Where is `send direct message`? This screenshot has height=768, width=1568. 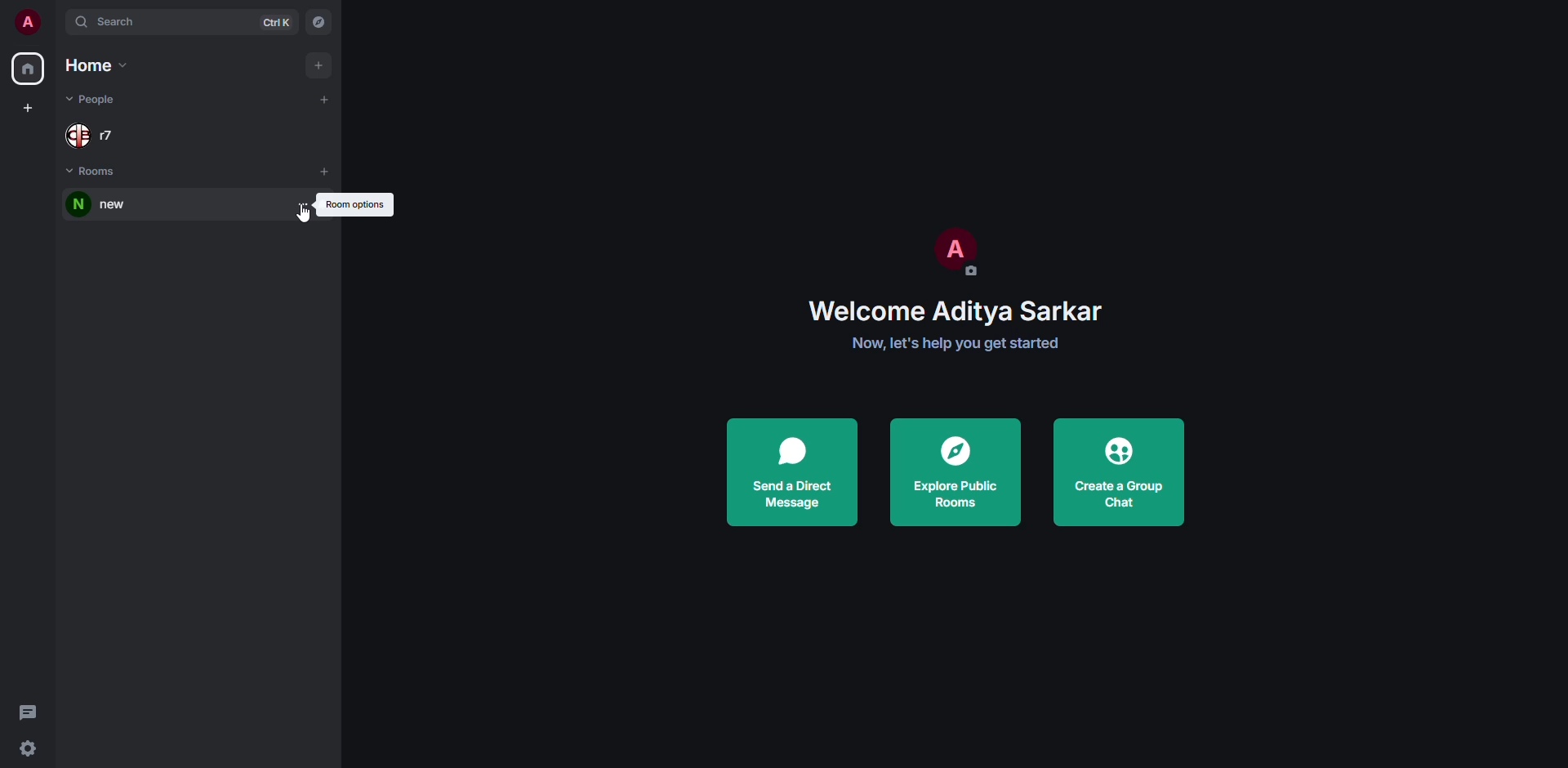 send direct message is located at coordinates (791, 473).